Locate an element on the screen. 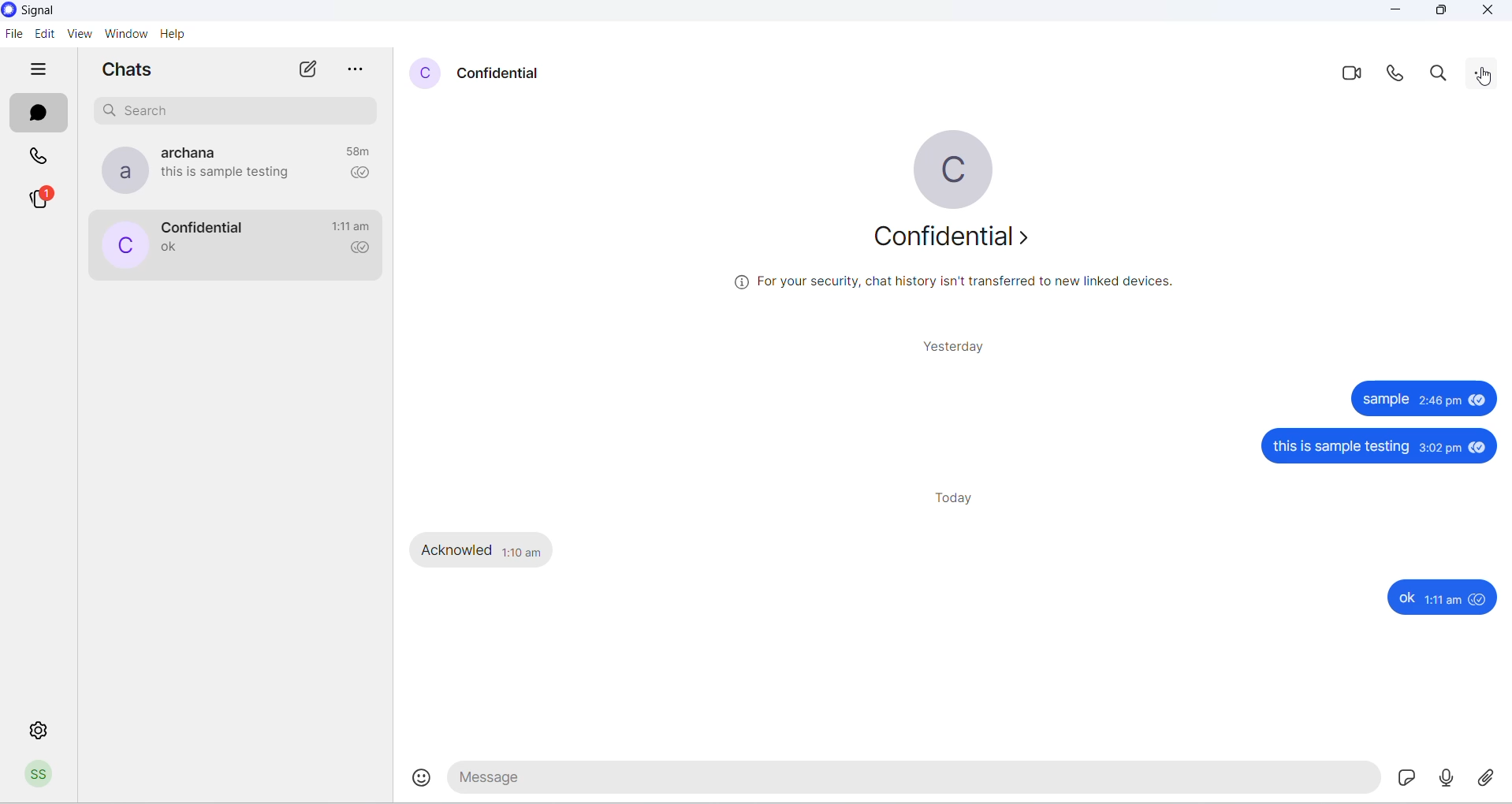 The width and height of the screenshot is (1512, 804). new chat is located at coordinates (306, 71).